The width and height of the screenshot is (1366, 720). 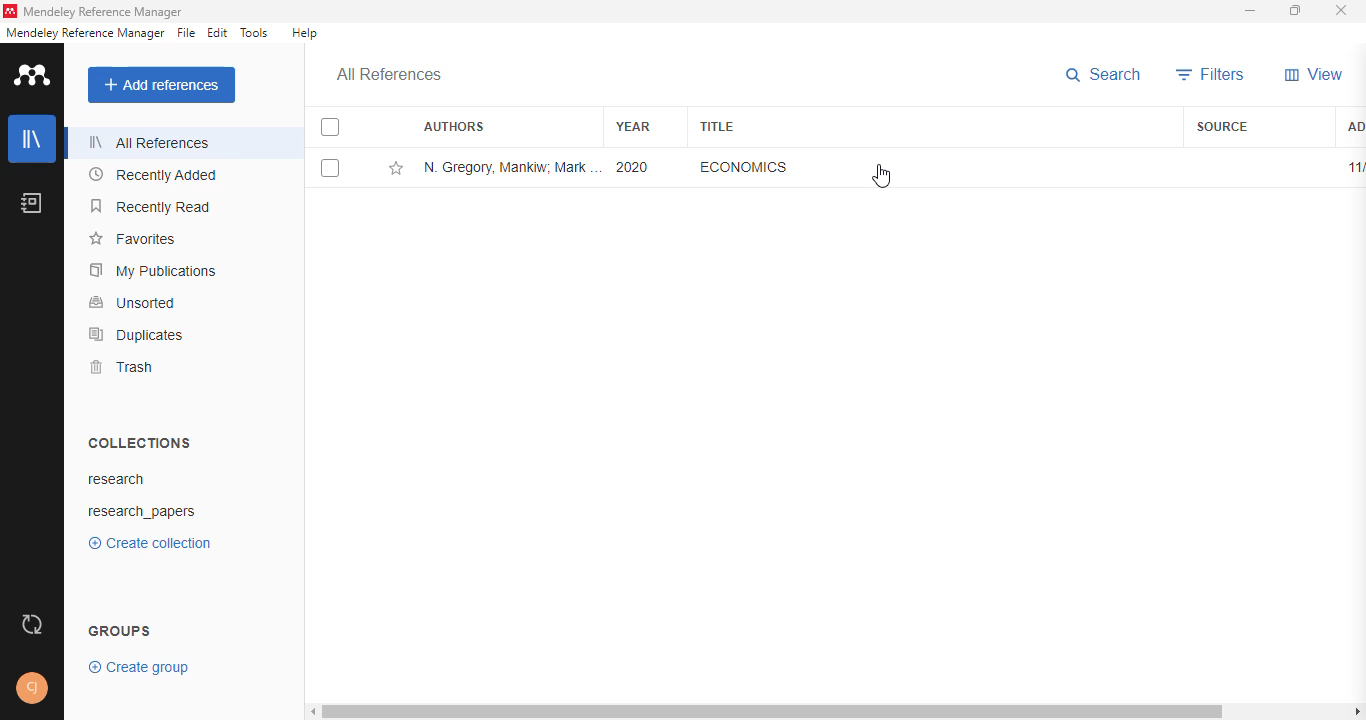 What do you see at coordinates (32, 139) in the screenshot?
I see `library` at bounding box center [32, 139].